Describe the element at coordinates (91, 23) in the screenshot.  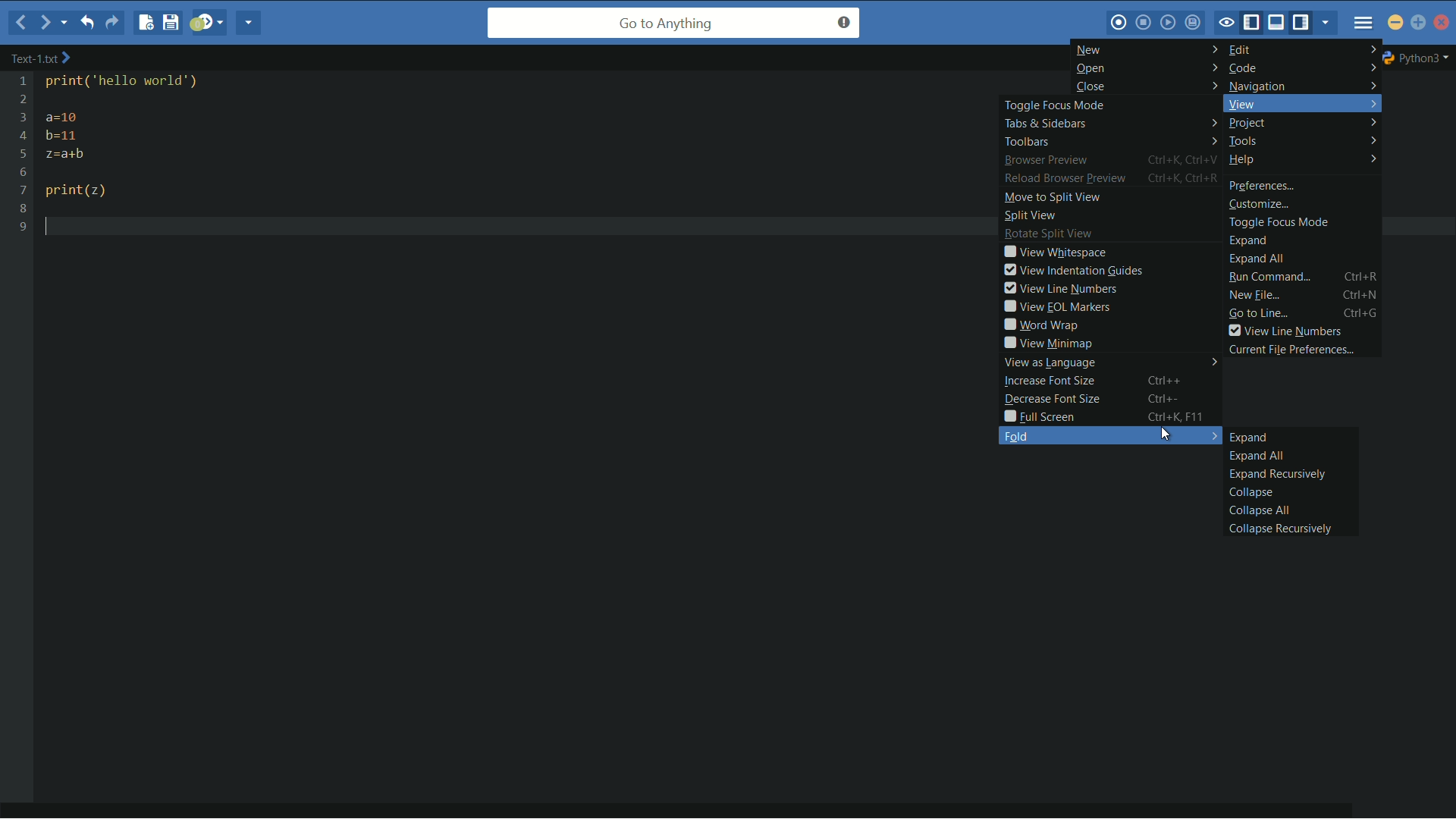
I see `undo` at that location.